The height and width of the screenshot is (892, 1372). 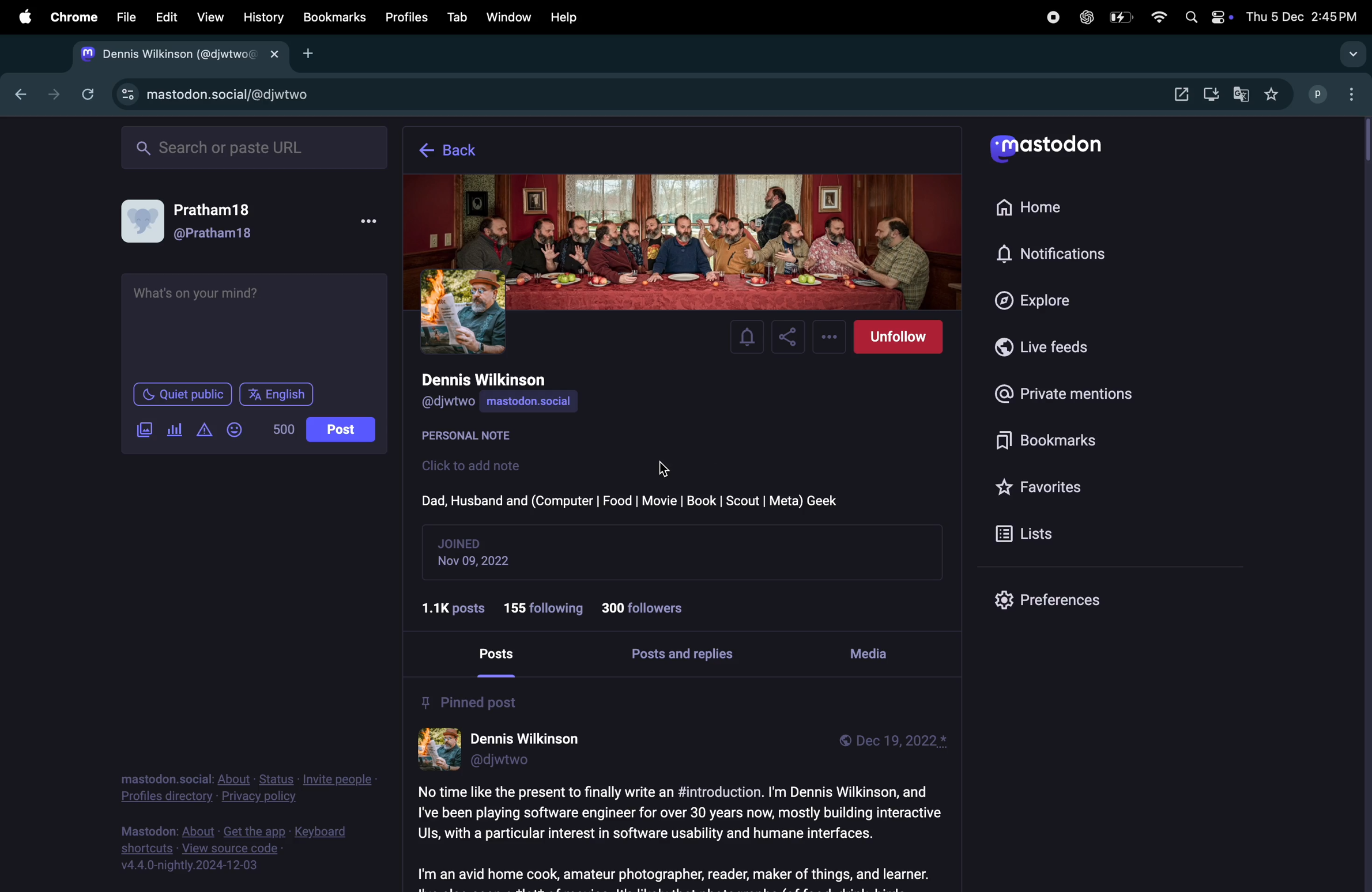 I want to click on scrollbar, so click(x=1363, y=504).